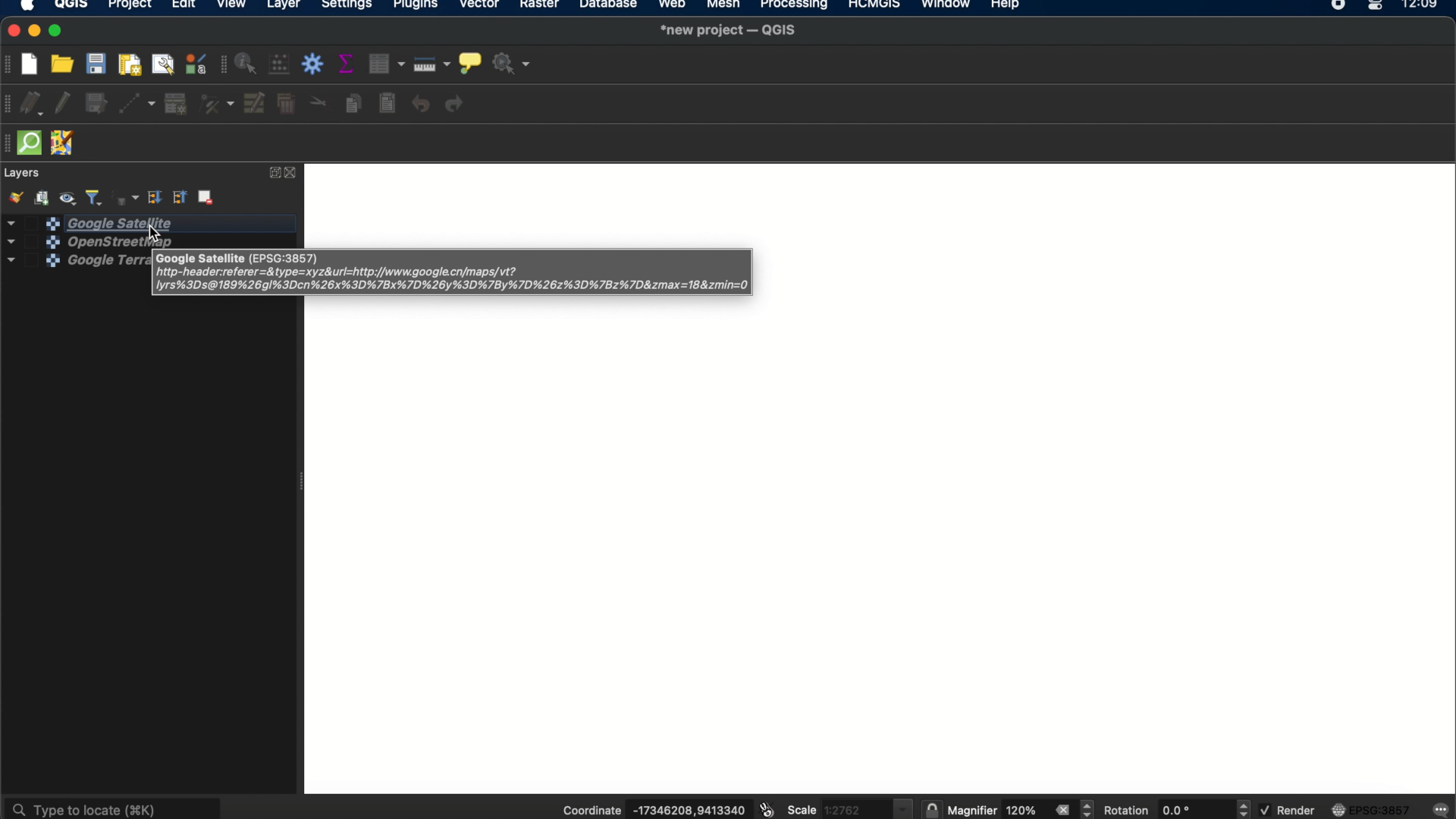 The image size is (1456, 819). I want to click on web, so click(673, 6).